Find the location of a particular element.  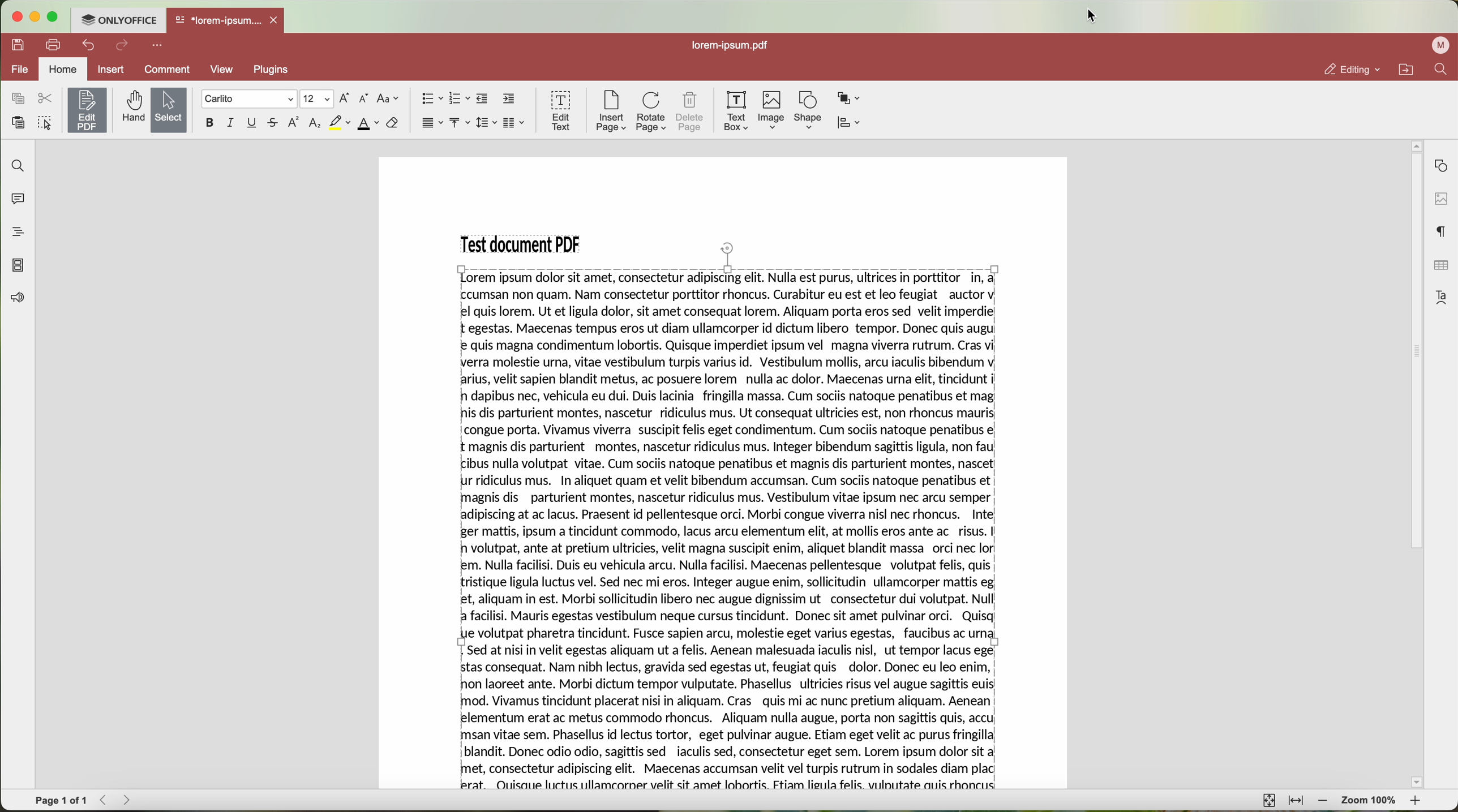

text box is located at coordinates (736, 112).